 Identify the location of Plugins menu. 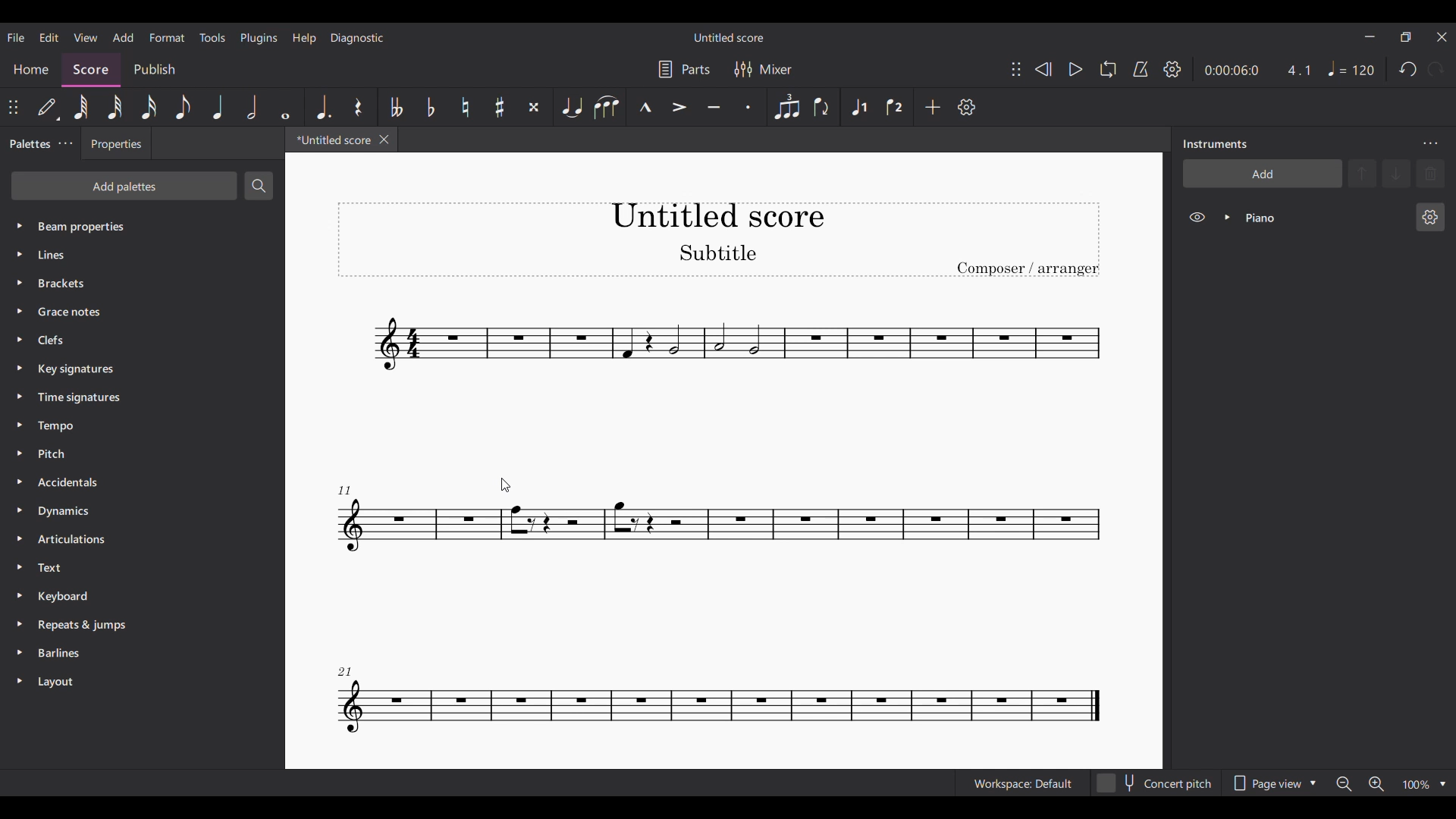
(259, 39).